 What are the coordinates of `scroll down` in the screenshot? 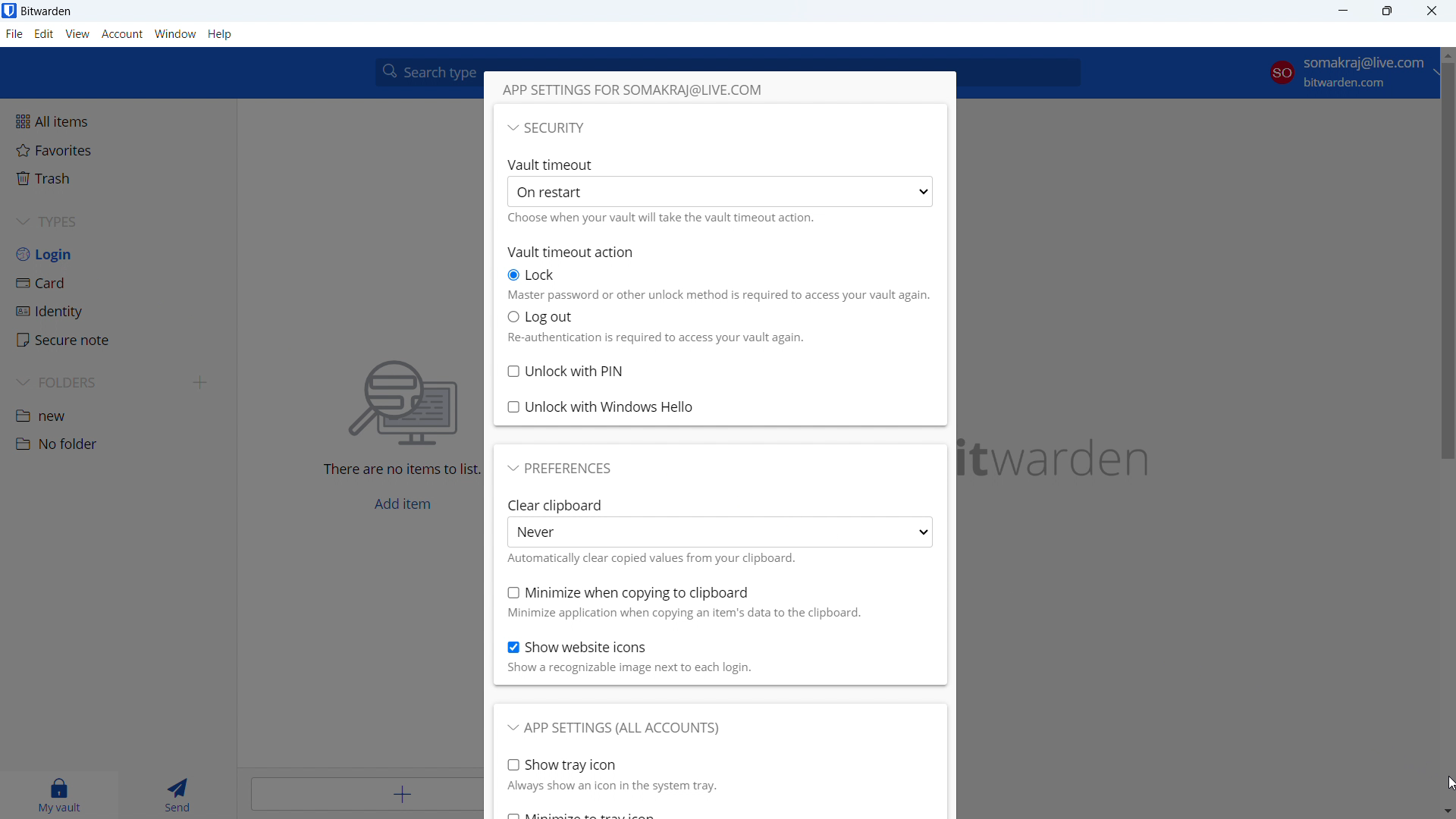 It's located at (1447, 810).